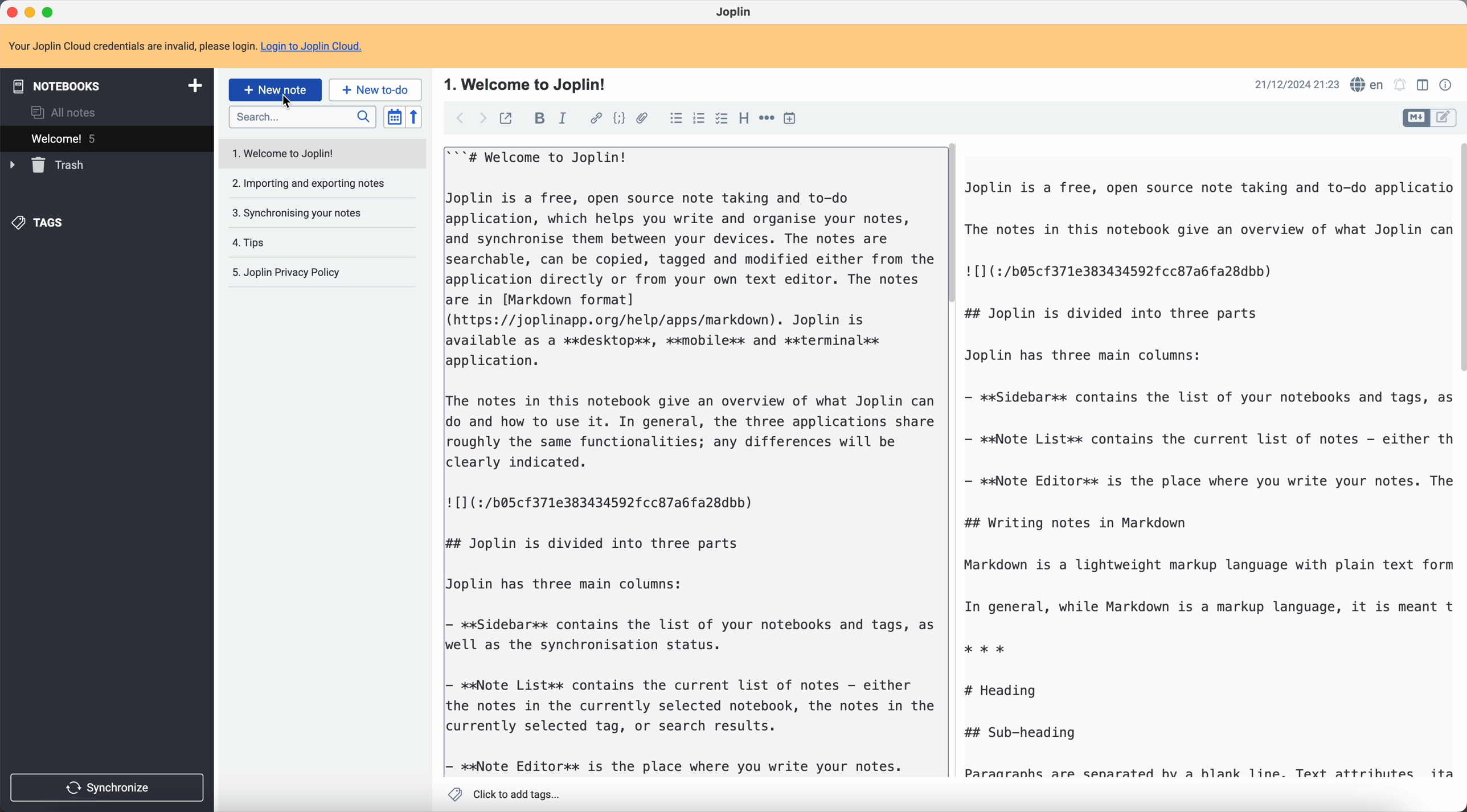 Image resolution: width=1467 pixels, height=812 pixels. Describe the element at coordinates (949, 226) in the screenshot. I see `scroll bar` at that location.